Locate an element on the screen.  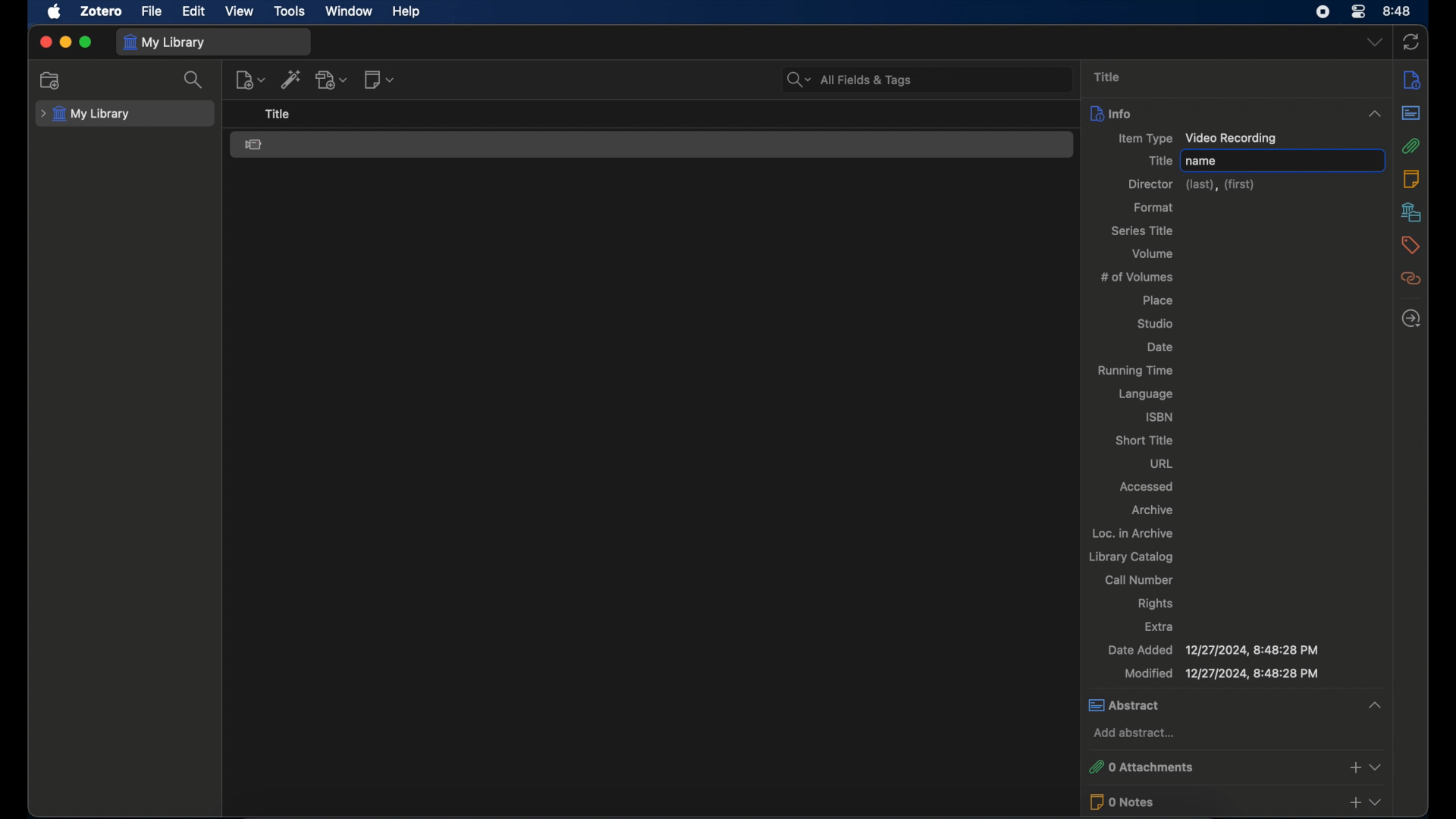
no of volumes is located at coordinates (1137, 277).